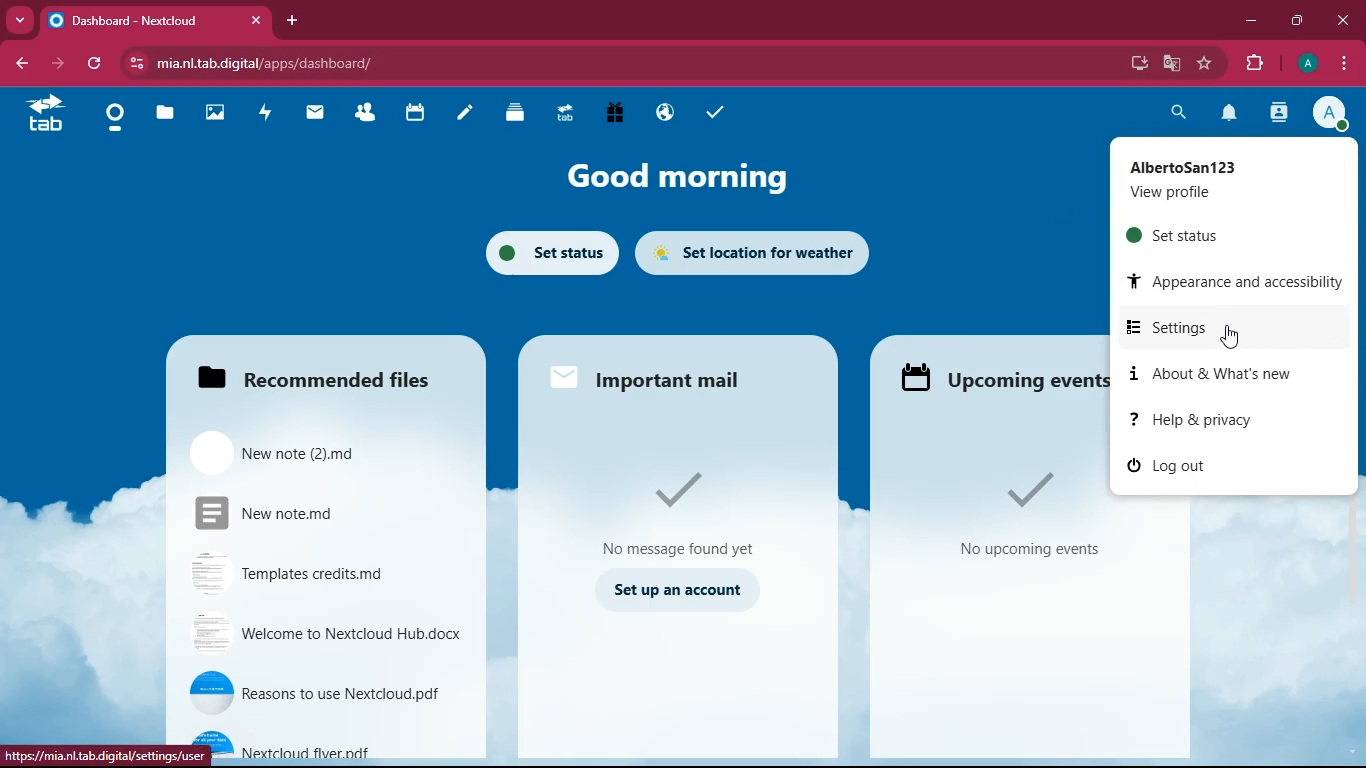 This screenshot has width=1366, height=768. I want to click on no message found yet, so click(679, 538).